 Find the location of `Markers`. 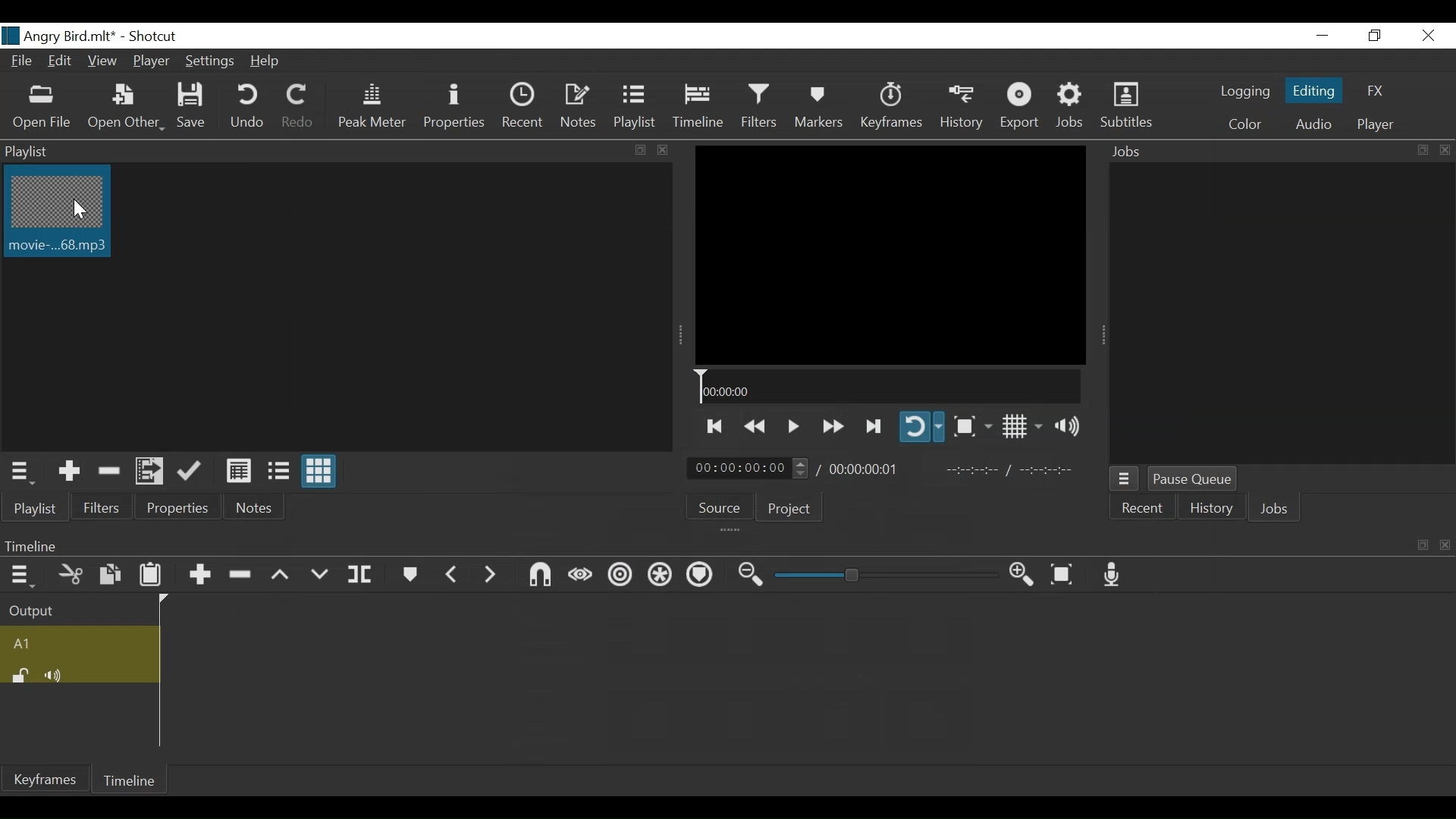

Markers is located at coordinates (818, 105).